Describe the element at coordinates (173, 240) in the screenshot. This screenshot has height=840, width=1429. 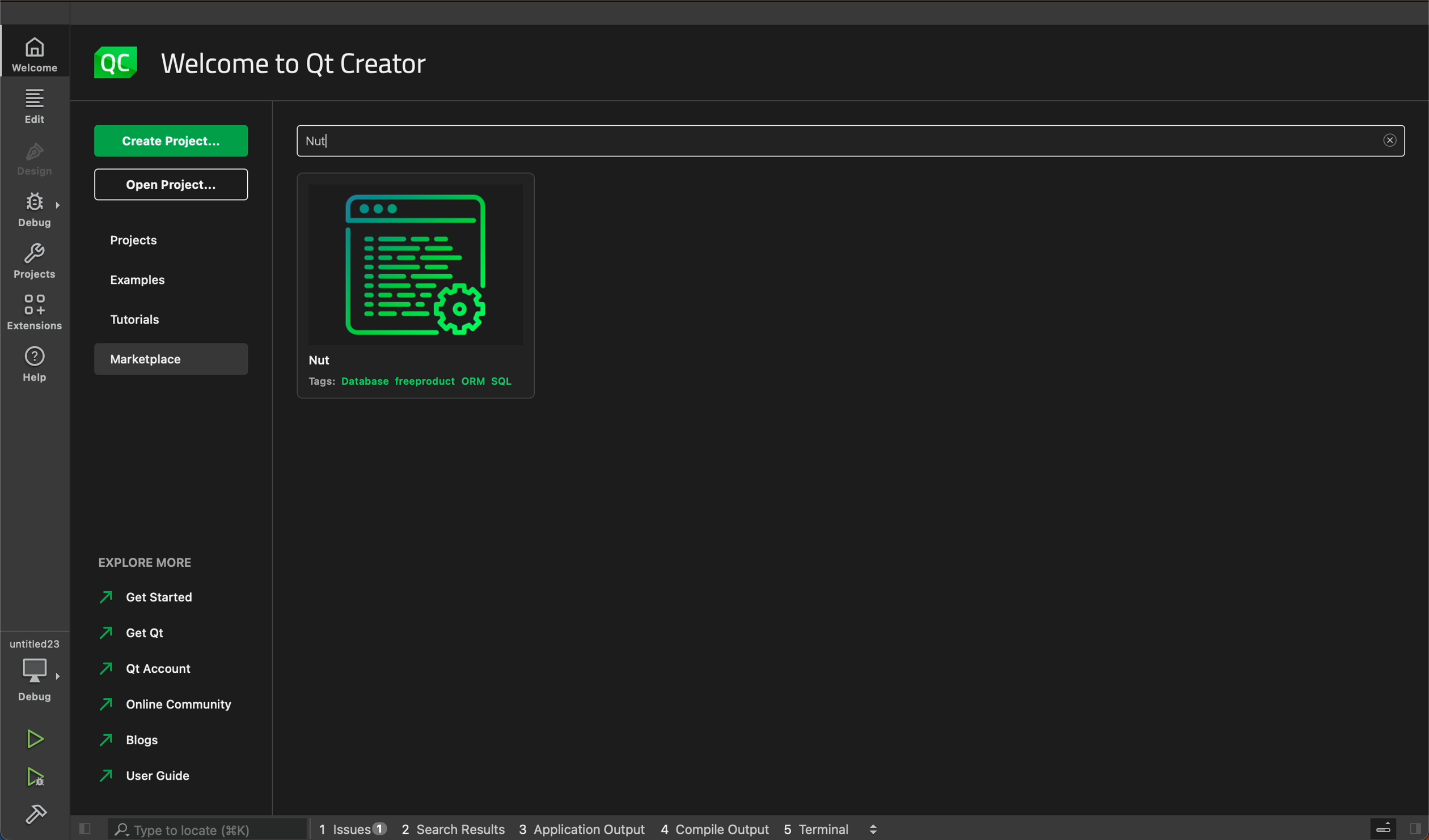
I see `projects` at that location.